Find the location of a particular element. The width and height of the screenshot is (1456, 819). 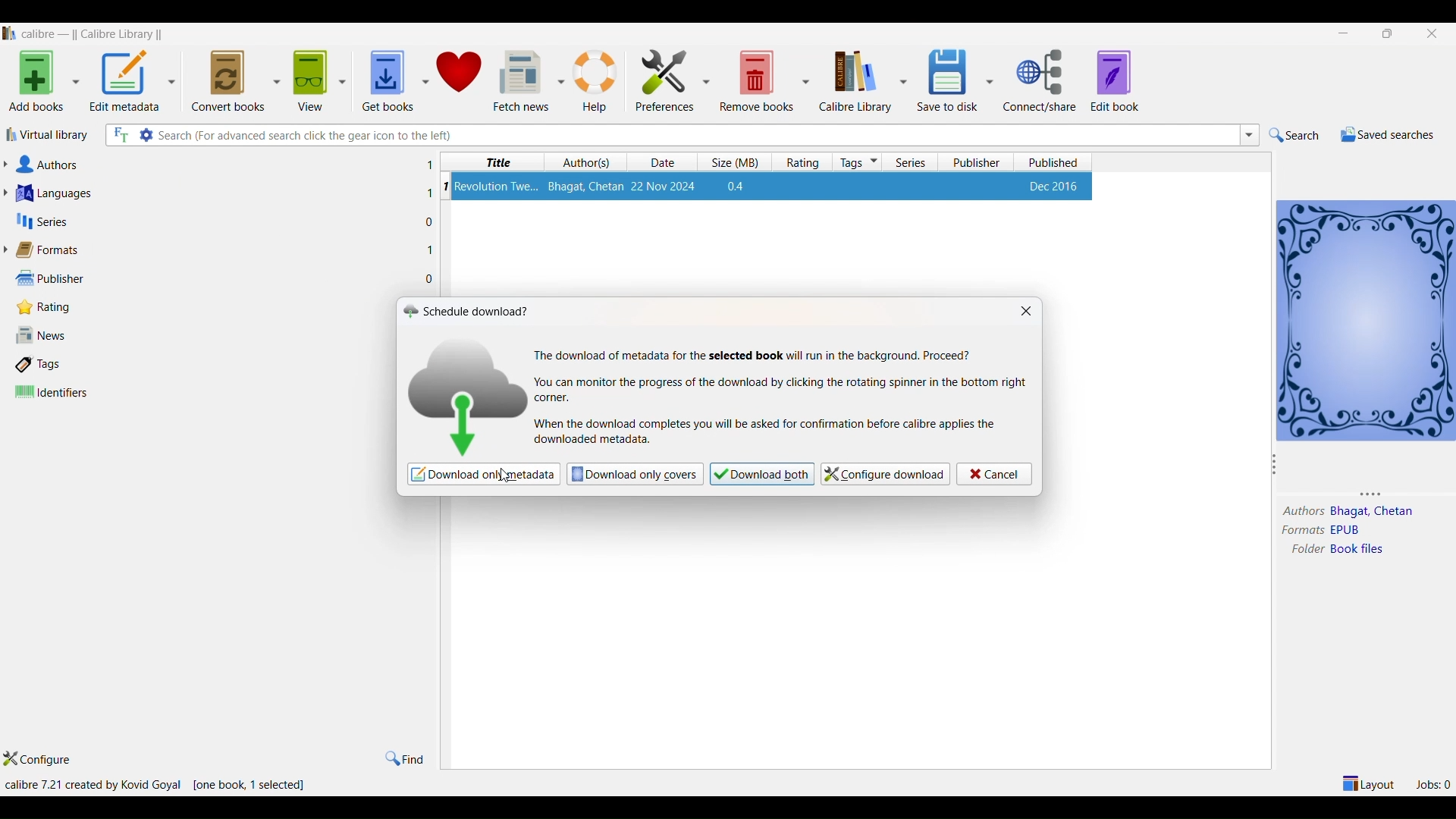

languages is located at coordinates (58, 193).